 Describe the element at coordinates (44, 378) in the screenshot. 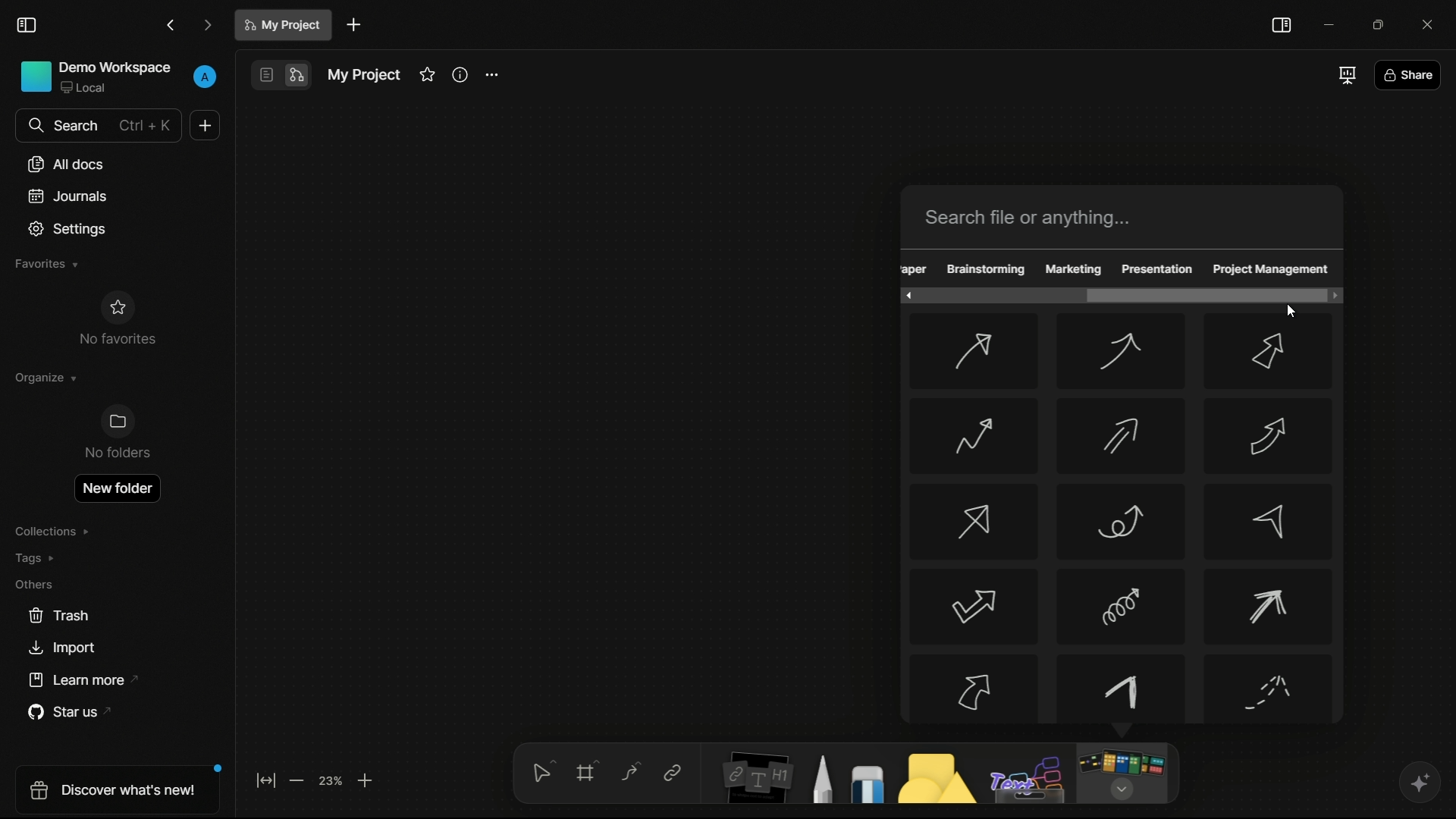

I see `organize` at that location.